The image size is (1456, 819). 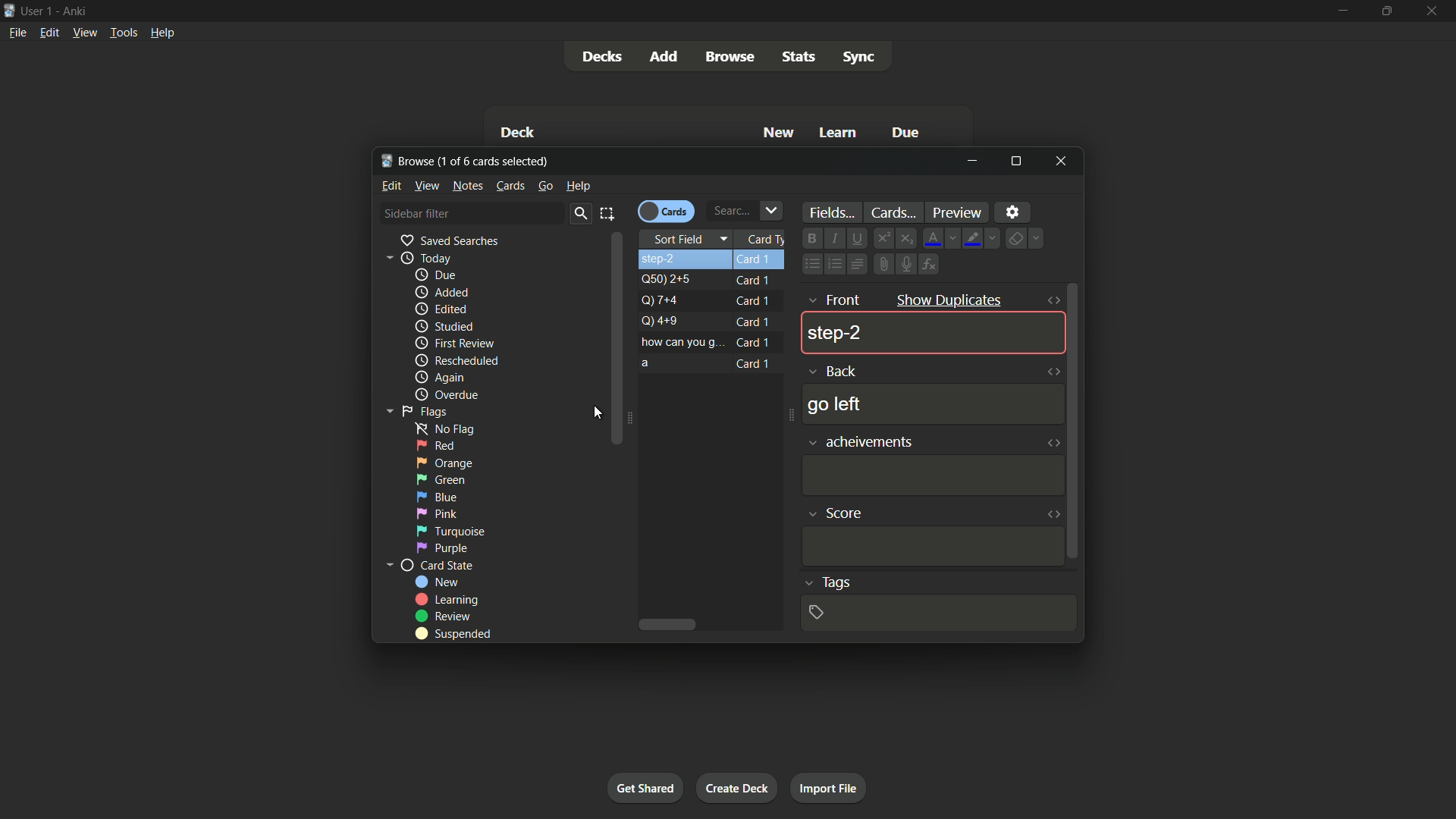 What do you see at coordinates (497, 160) in the screenshot?
I see `One of six cards selected` at bounding box center [497, 160].